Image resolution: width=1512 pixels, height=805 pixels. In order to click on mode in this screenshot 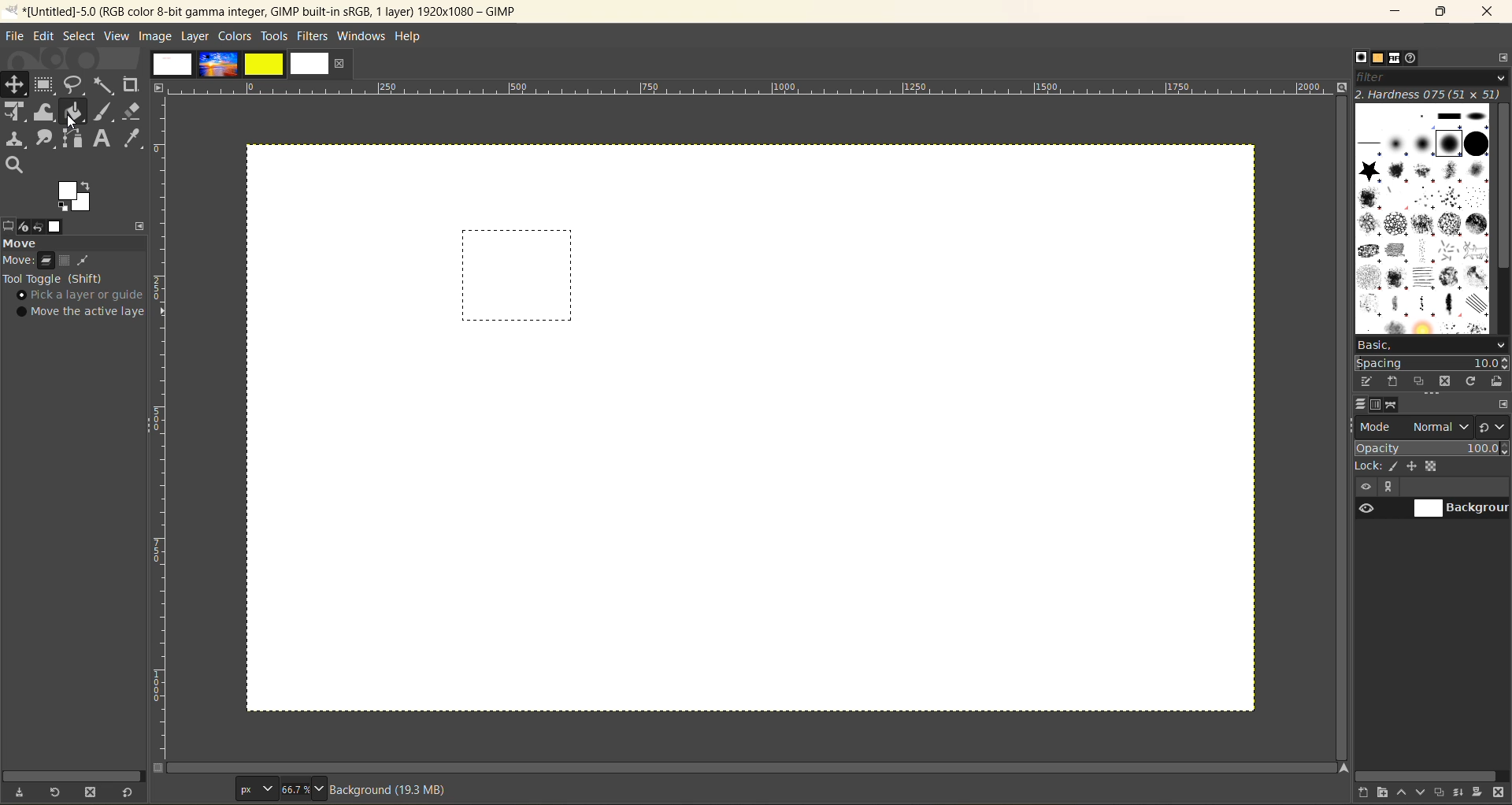, I will do `click(1415, 427)`.